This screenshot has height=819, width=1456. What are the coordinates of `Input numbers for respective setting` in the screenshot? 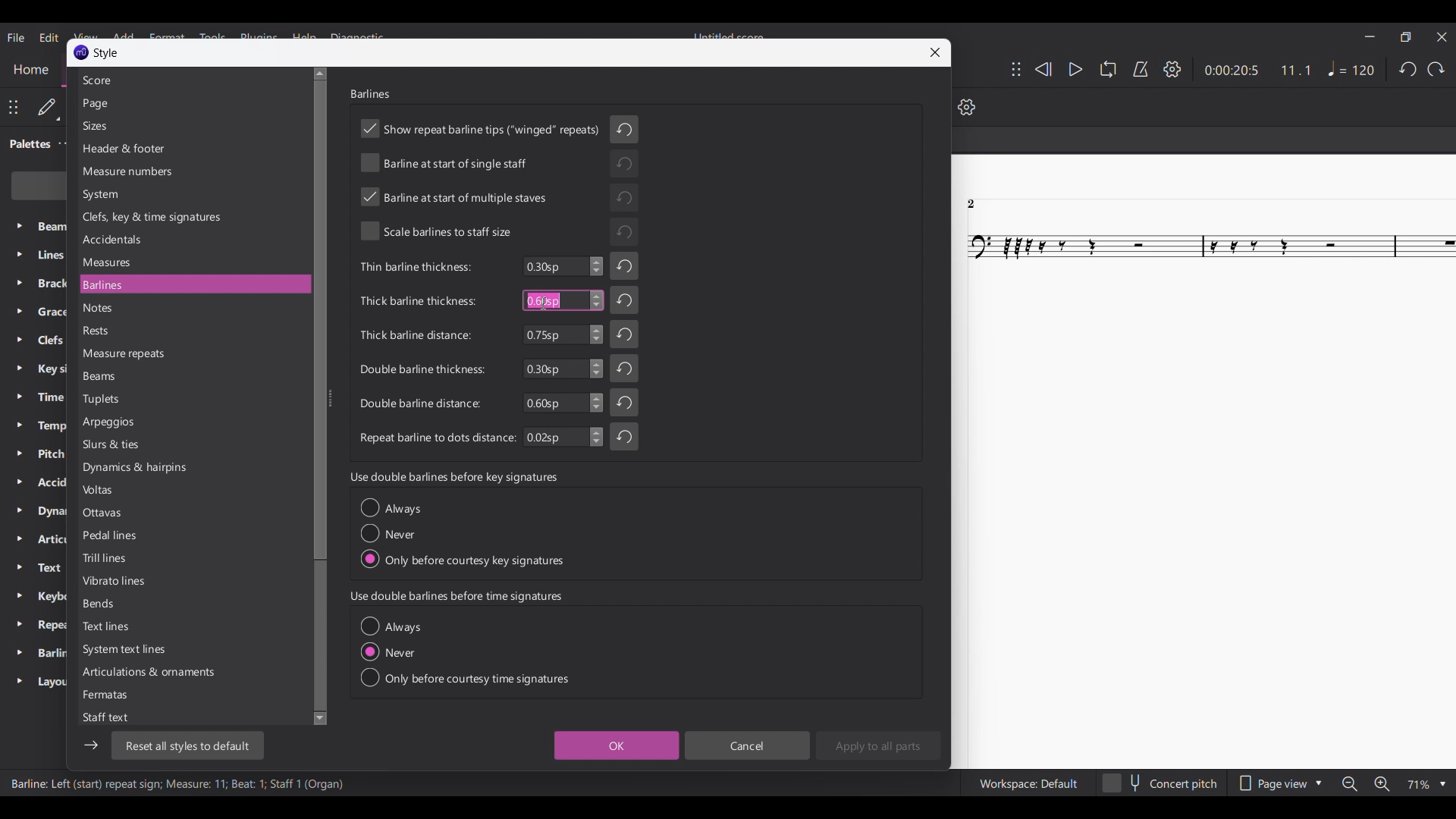 It's located at (563, 352).